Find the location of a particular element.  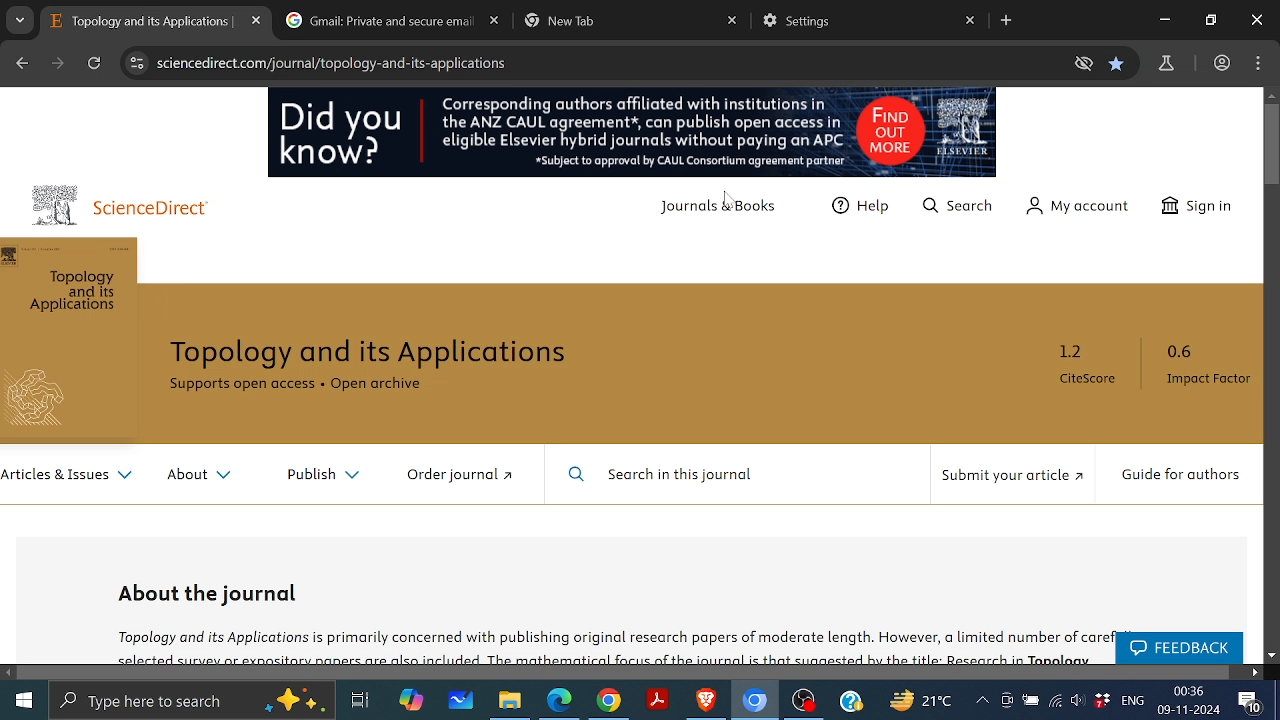

meet is located at coordinates (1009, 701).